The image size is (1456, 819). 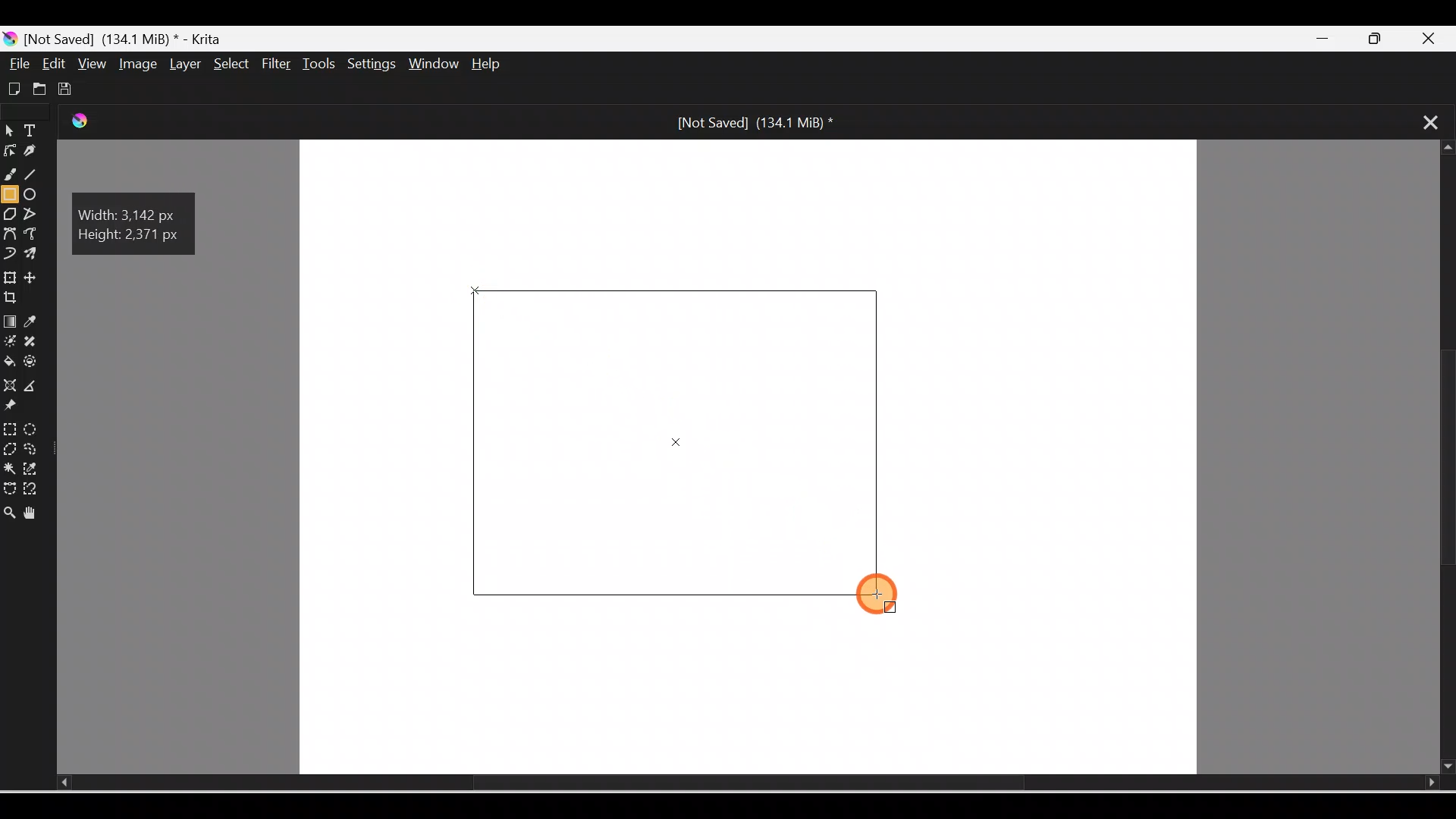 I want to click on Create new document, so click(x=12, y=87).